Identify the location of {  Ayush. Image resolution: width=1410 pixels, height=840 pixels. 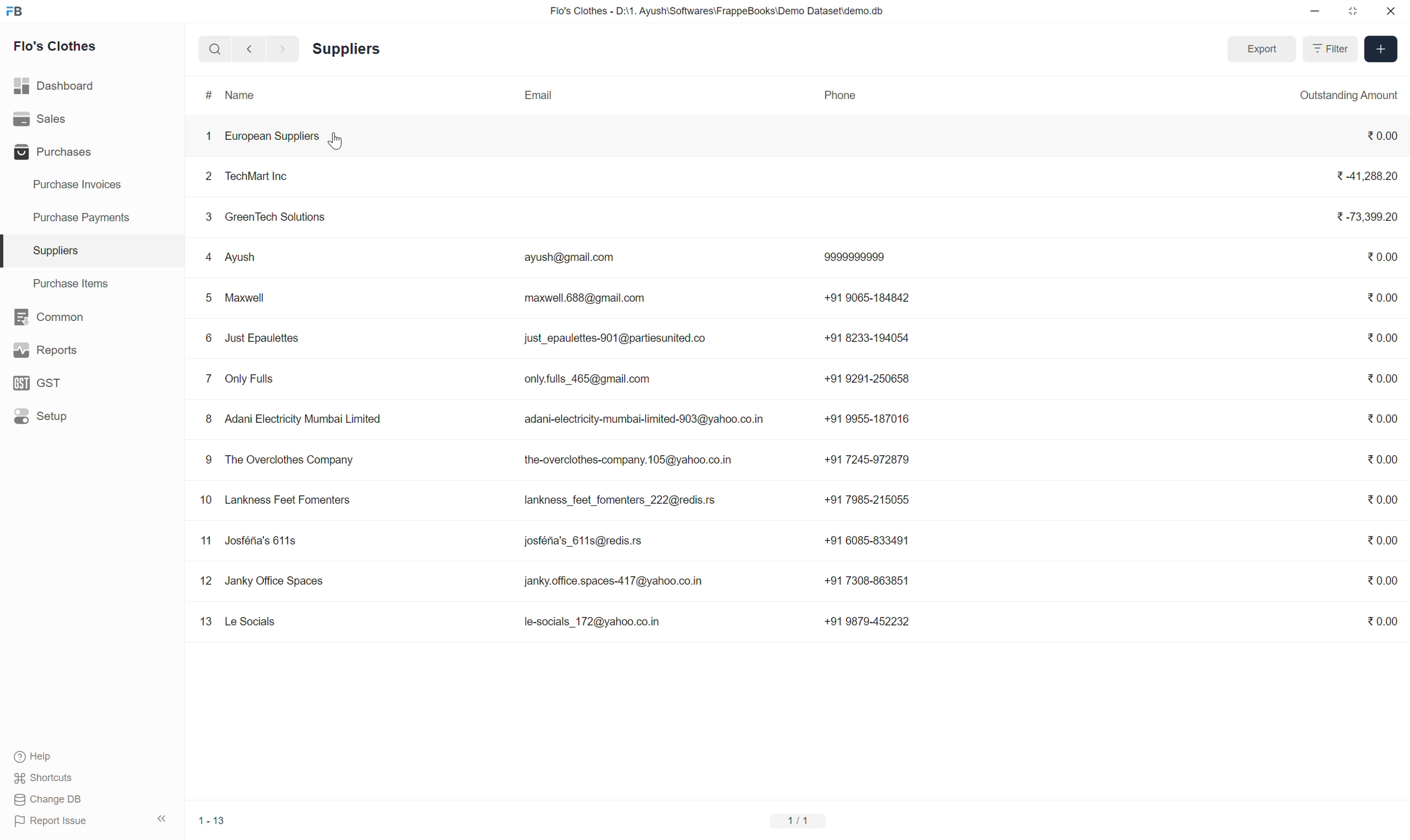
(239, 256).